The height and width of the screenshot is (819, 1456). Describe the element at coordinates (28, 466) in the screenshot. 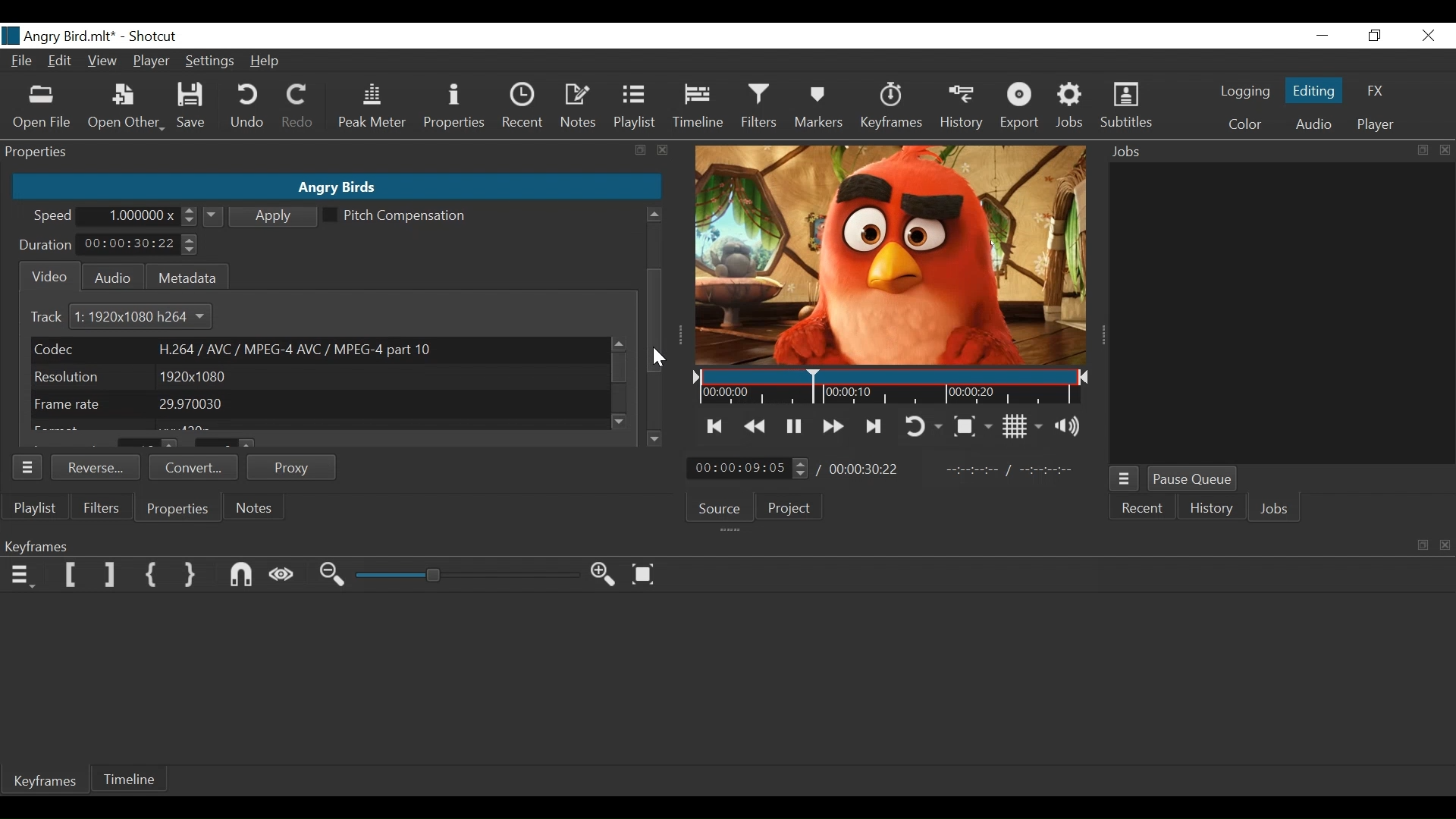

I see `Properties Panel` at that location.